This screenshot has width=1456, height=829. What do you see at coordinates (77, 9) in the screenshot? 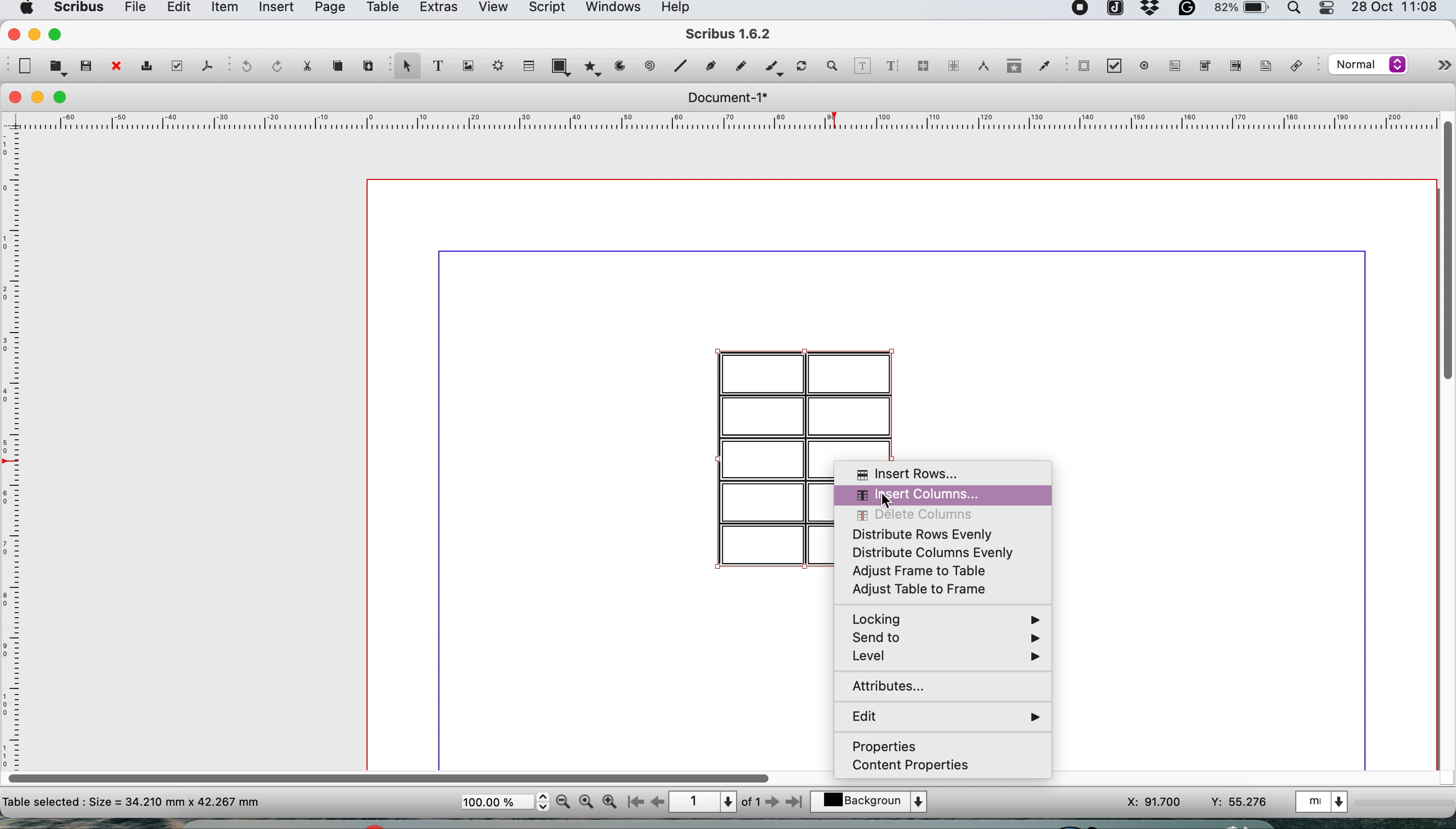
I see `scribus` at bounding box center [77, 9].